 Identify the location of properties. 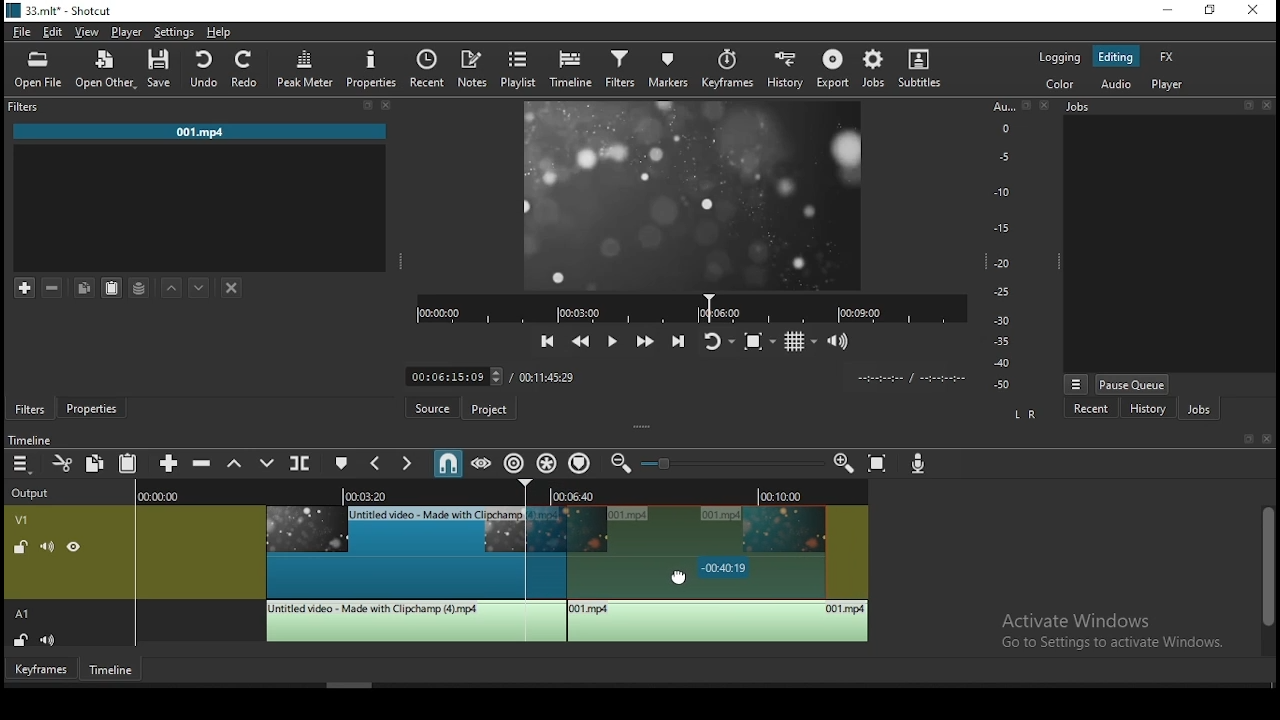
(374, 67).